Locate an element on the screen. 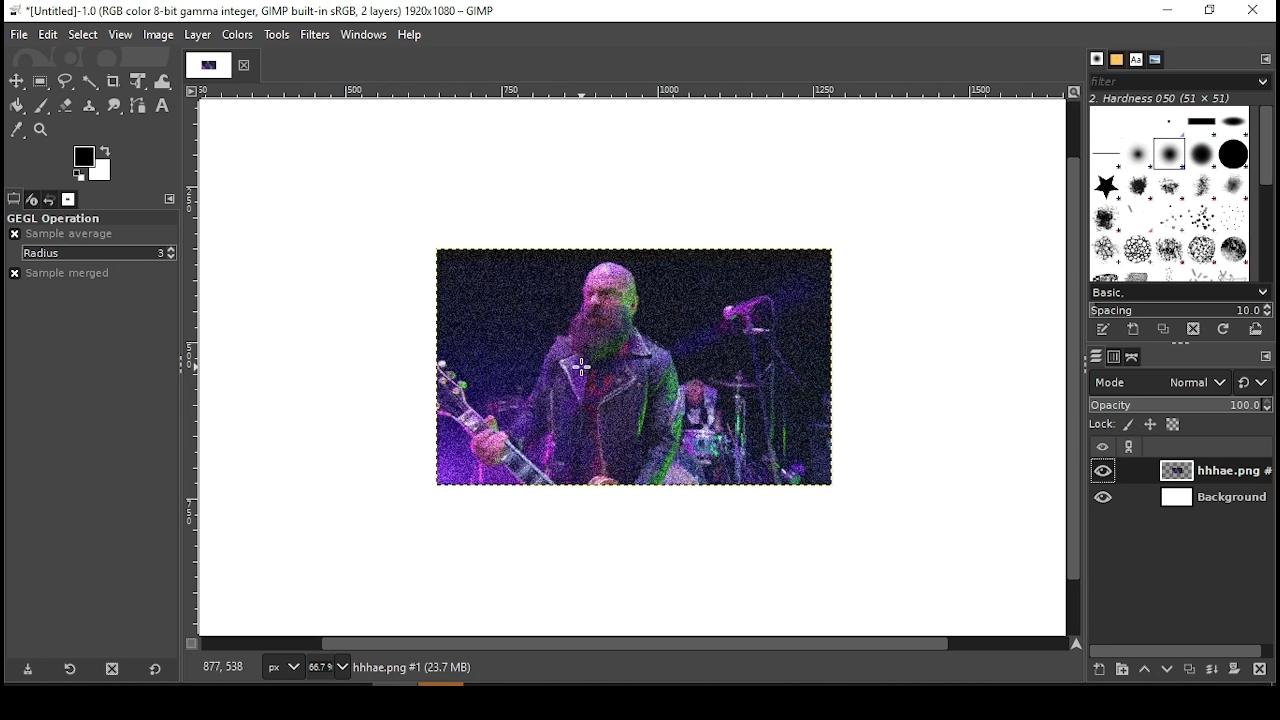 The image size is (1280, 720). edit this brush is located at coordinates (1107, 332).